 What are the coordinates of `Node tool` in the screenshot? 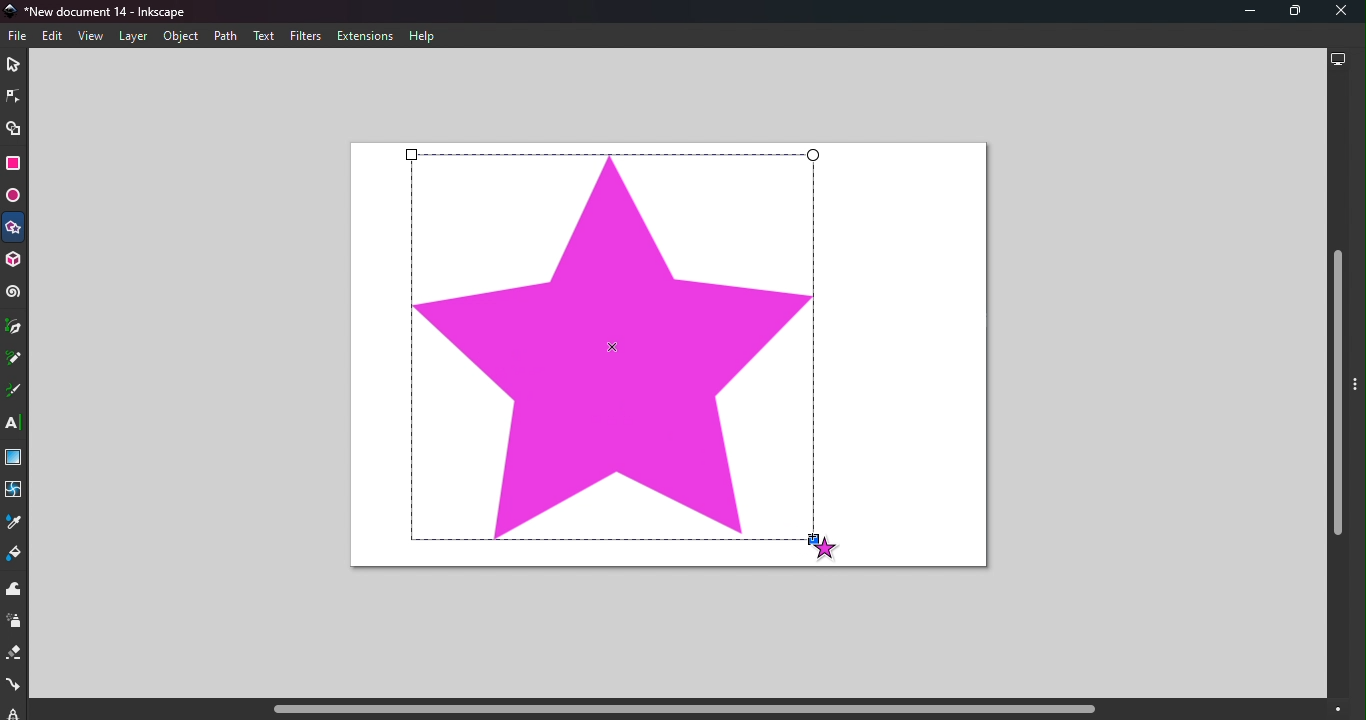 It's located at (12, 96).